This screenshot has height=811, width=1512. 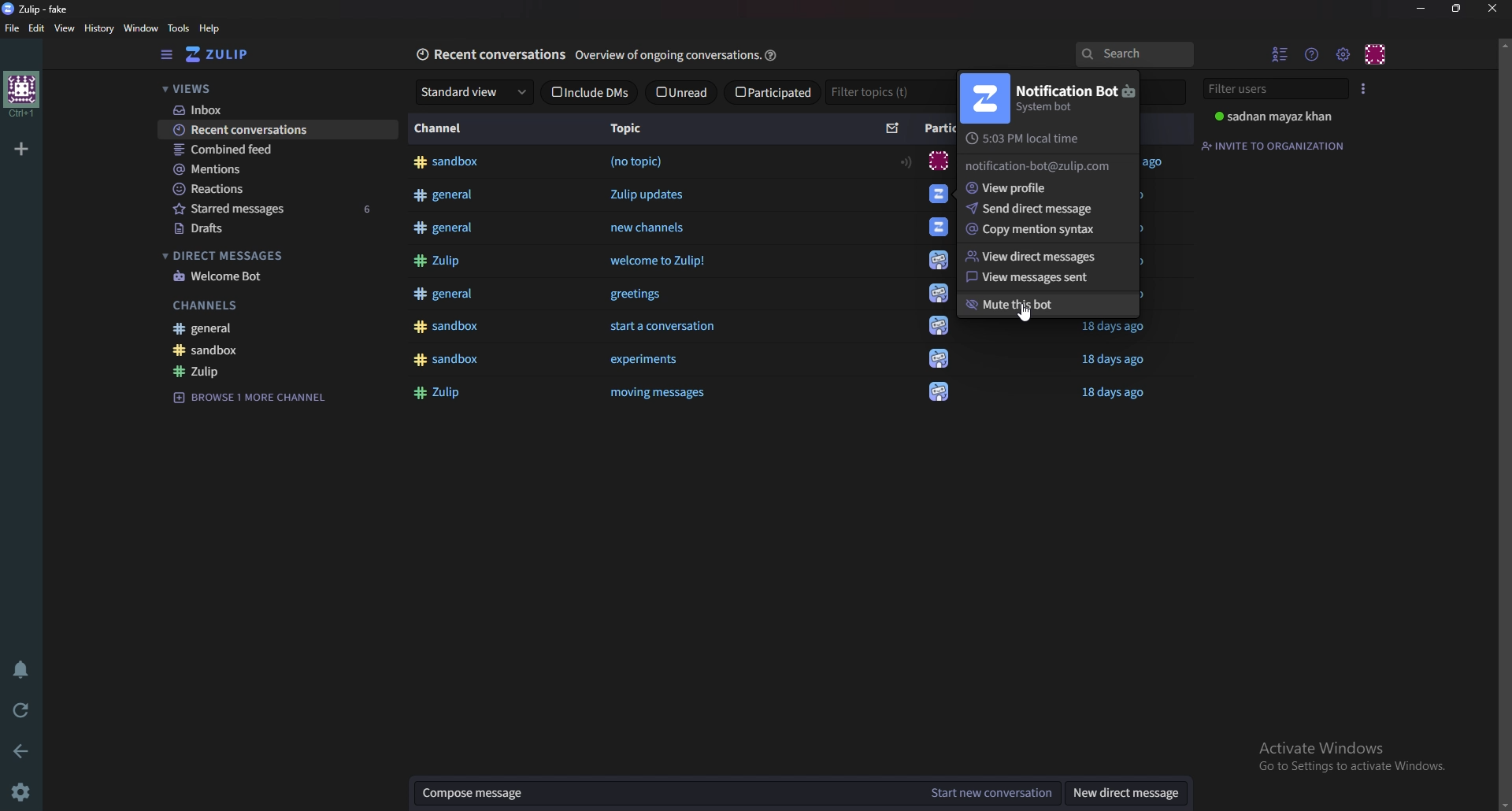 What do you see at coordinates (232, 54) in the screenshot?
I see `Home view` at bounding box center [232, 54].